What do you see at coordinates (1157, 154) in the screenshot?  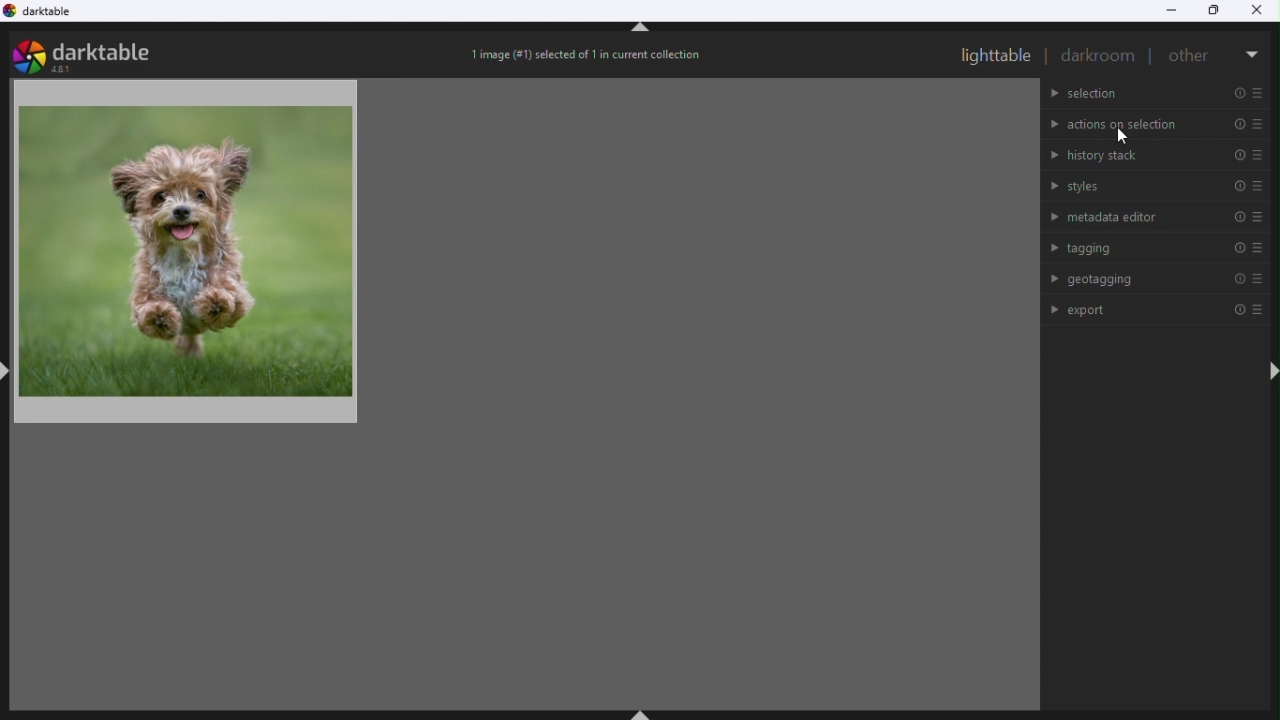 I see `History stack` at bounding box center [1157, 154].